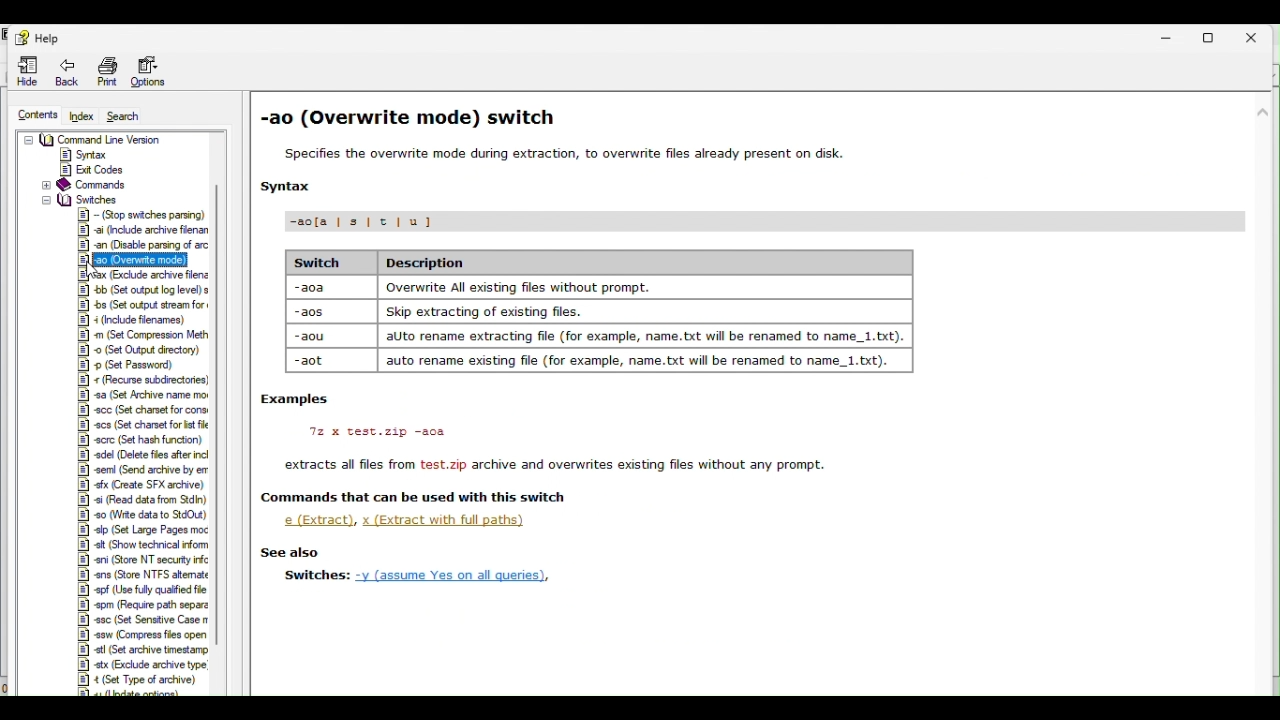  I want to click on [8] +i (Read data from Stdin), so click(140, 498).